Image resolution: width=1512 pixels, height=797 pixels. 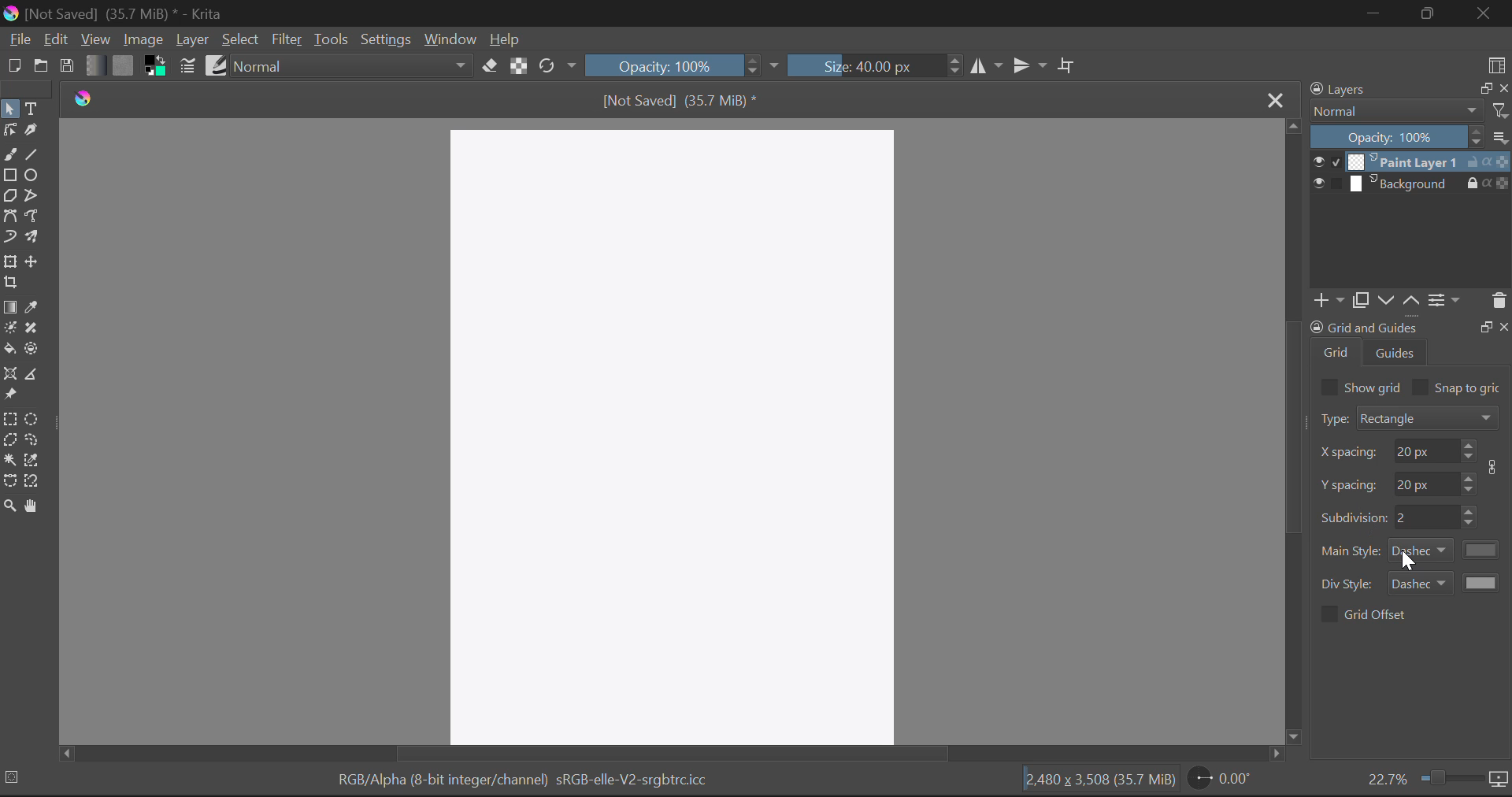 What do you see at coordinates (873, 65) in the screenshot?
I see `Brush Size` at bounding box center [873, 65].